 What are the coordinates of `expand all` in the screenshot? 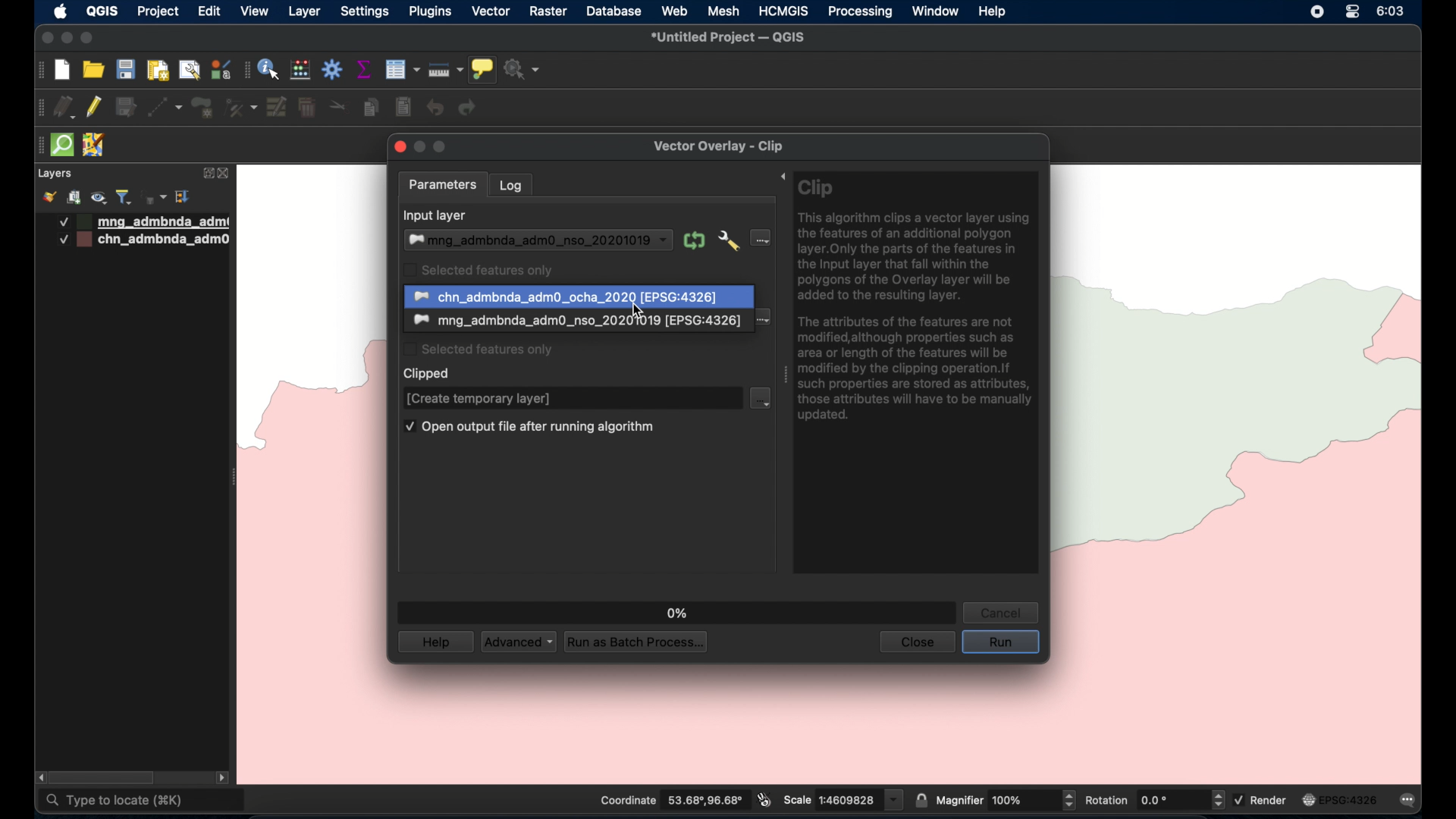 It's located at (184, 197).